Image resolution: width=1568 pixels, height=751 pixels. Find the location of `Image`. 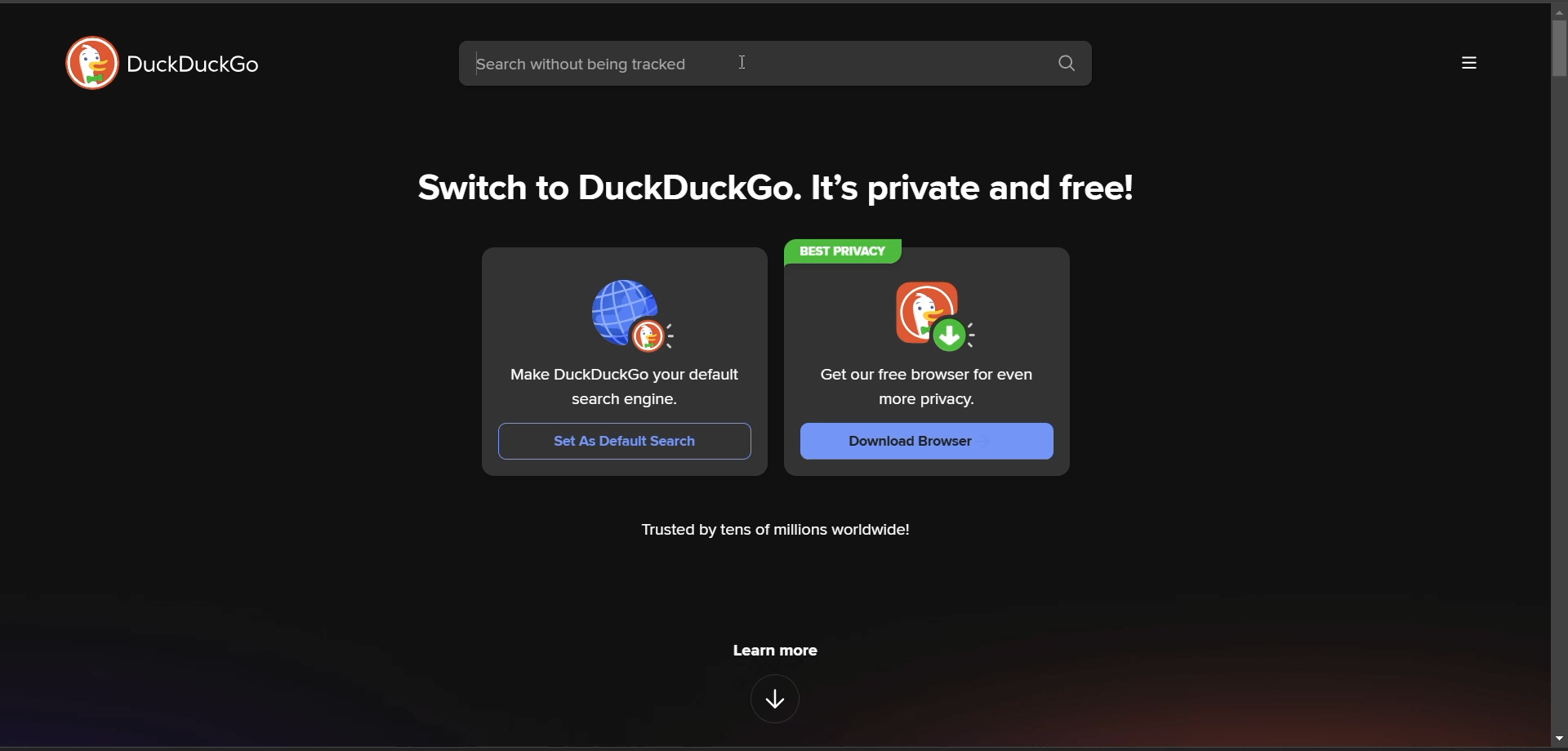

Image is located at coordinates (632, 317).